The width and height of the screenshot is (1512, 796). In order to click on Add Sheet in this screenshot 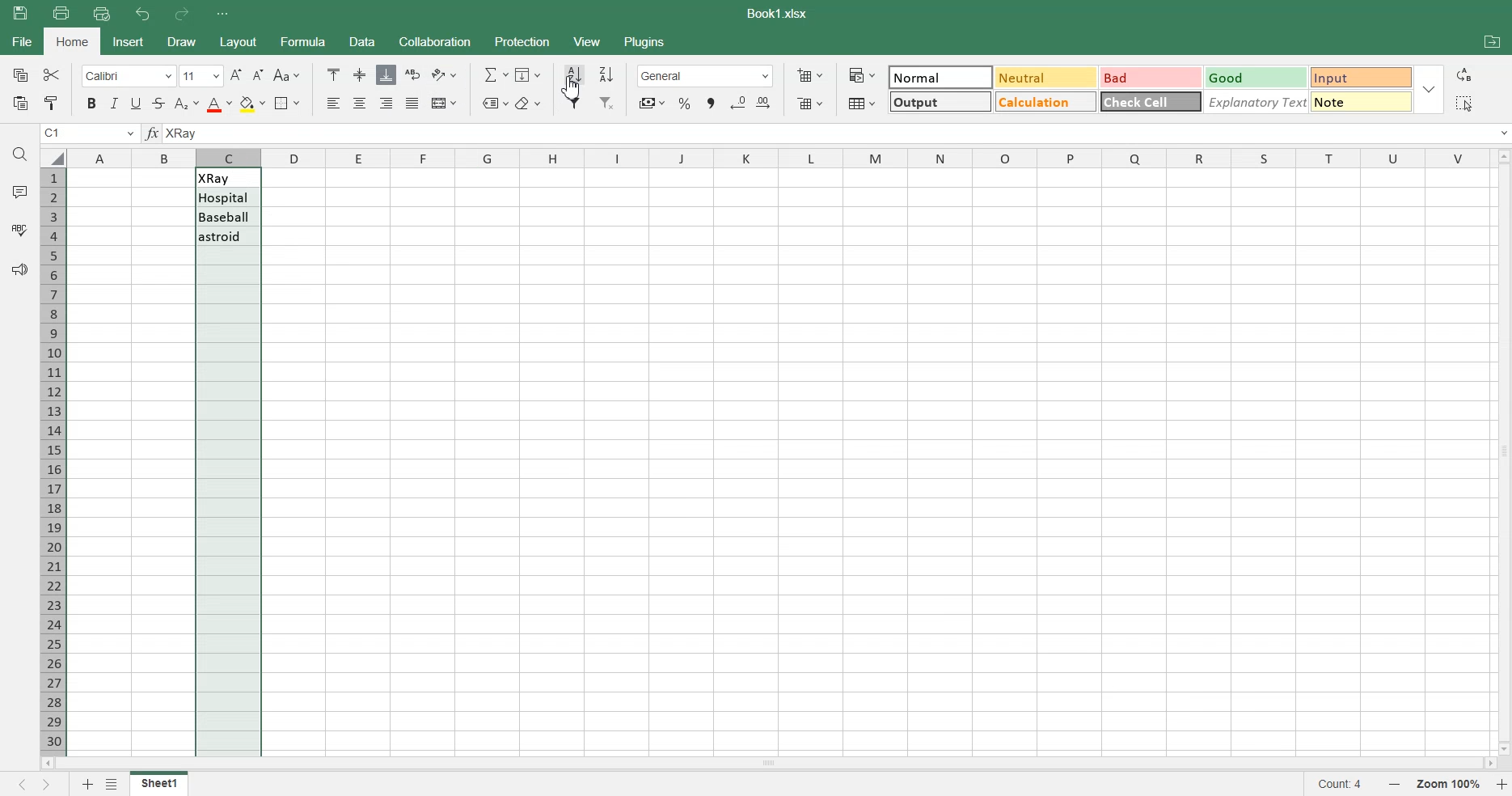, I will do `click(85, 784)`.